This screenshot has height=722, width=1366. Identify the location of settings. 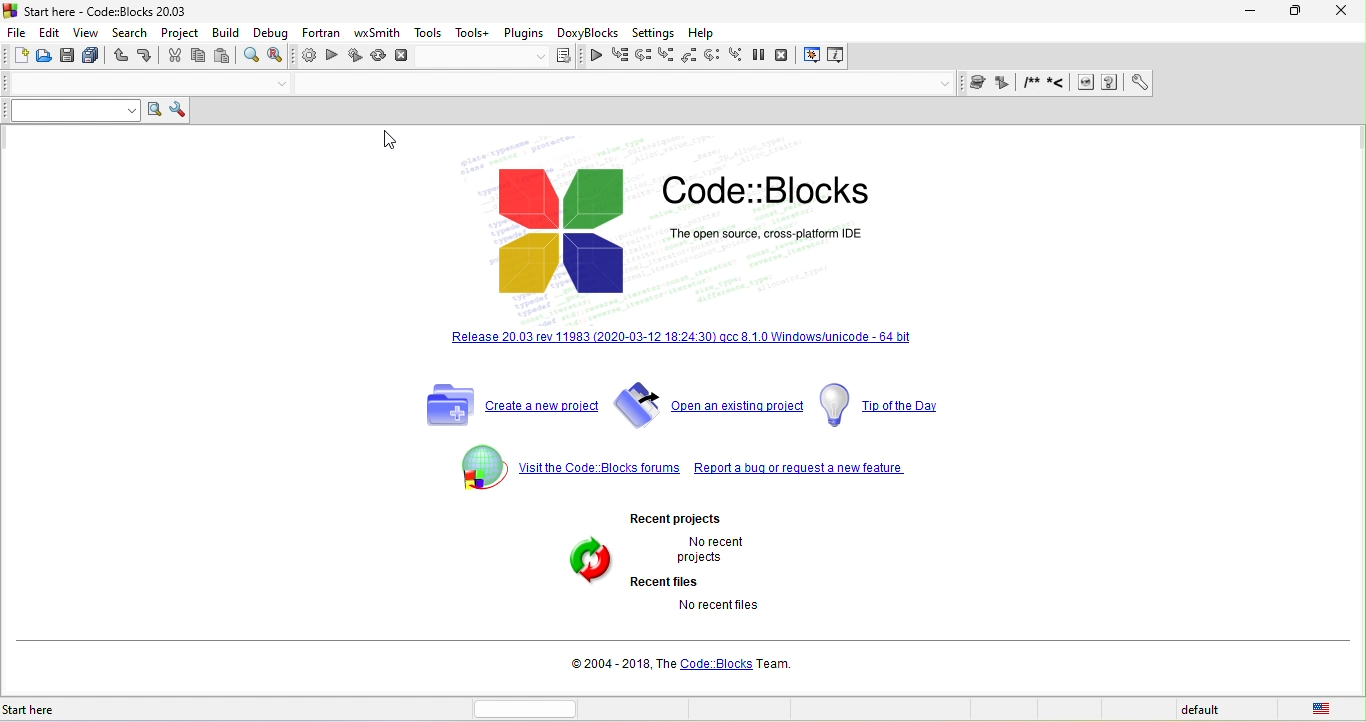
(657, 31).